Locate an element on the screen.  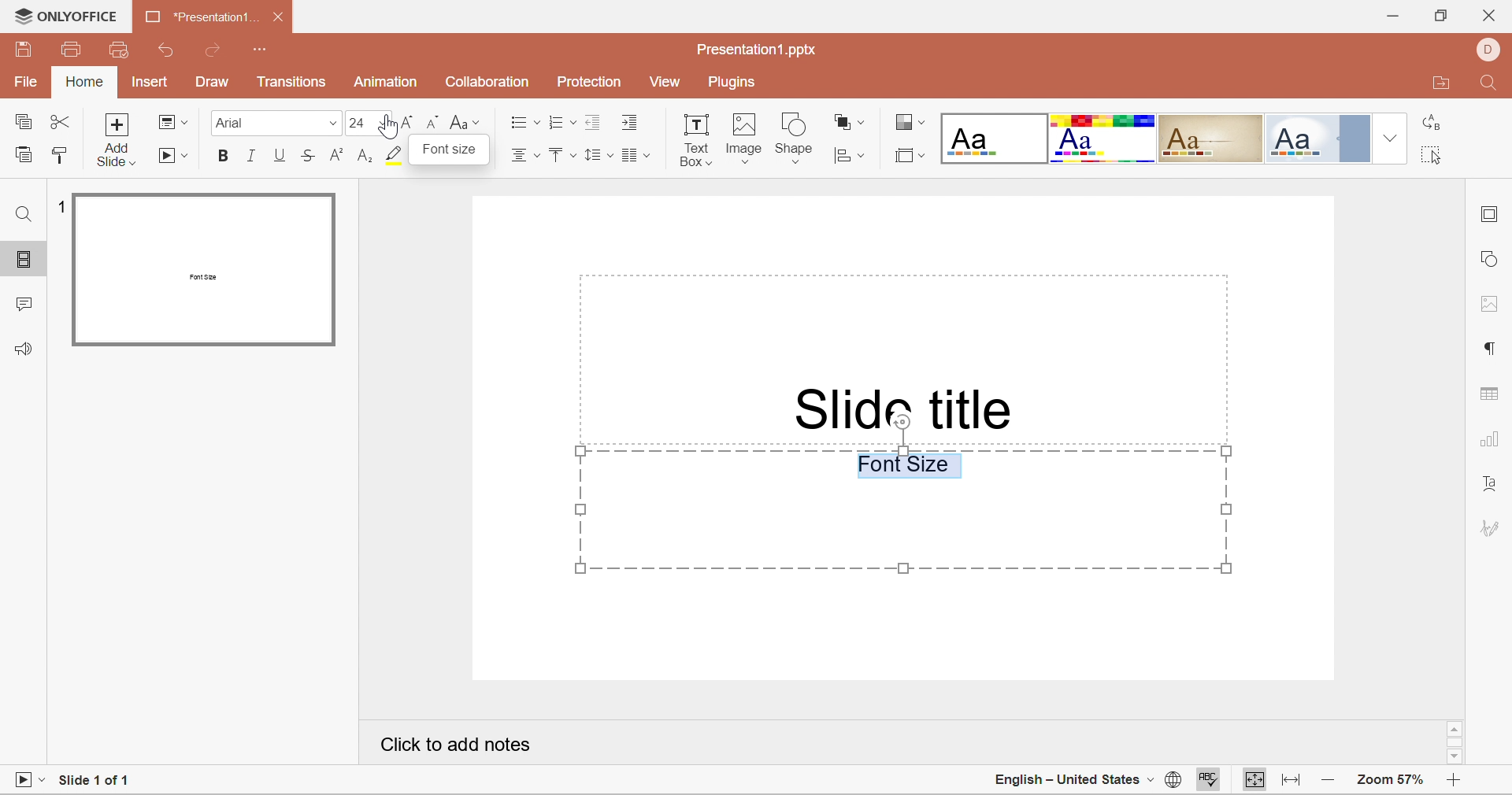
Copy style is located at coordinates (61, 157).